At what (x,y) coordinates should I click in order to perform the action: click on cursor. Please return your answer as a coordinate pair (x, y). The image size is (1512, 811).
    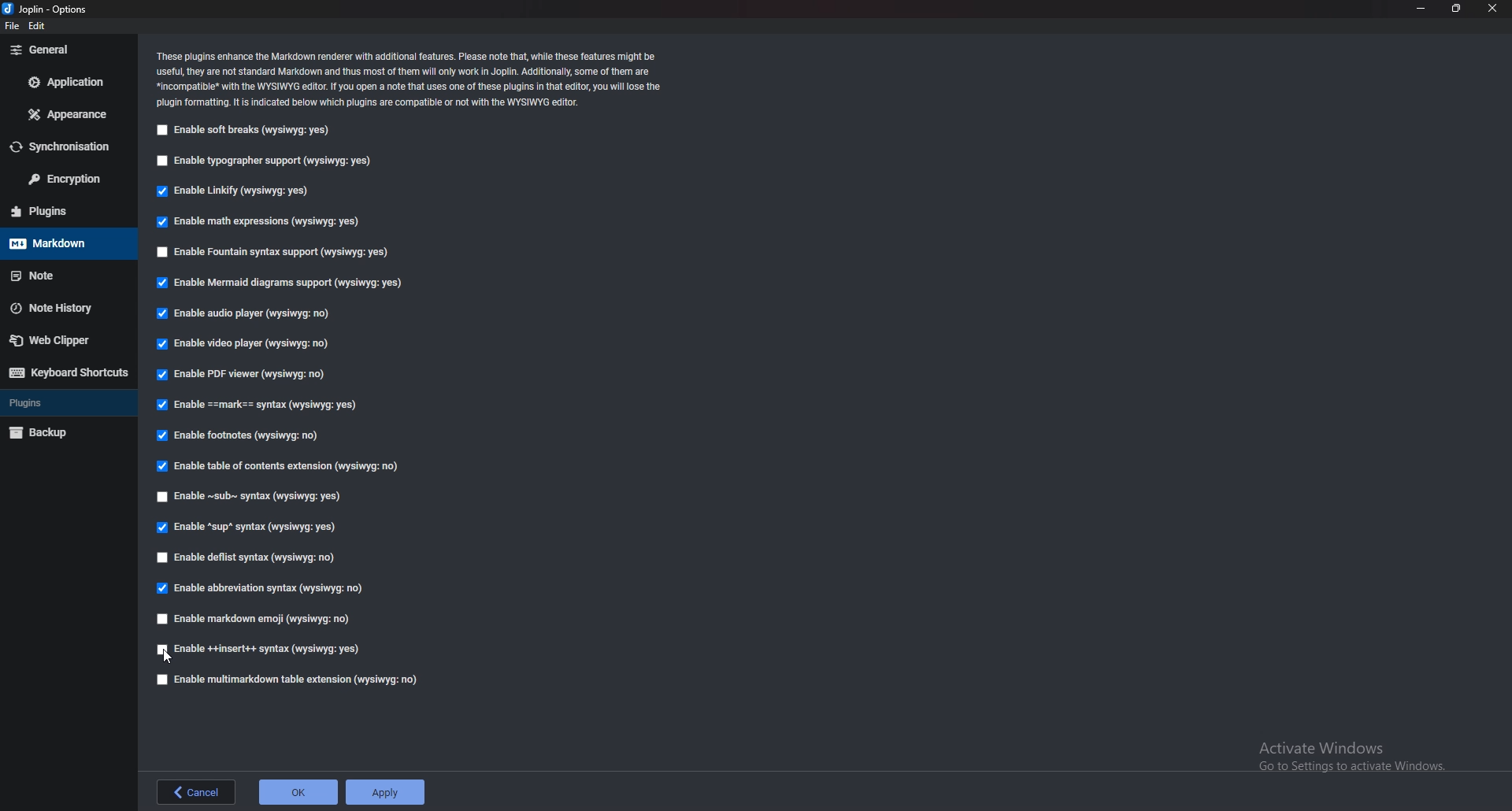
    Looking at the image, I should click on (169, 656).